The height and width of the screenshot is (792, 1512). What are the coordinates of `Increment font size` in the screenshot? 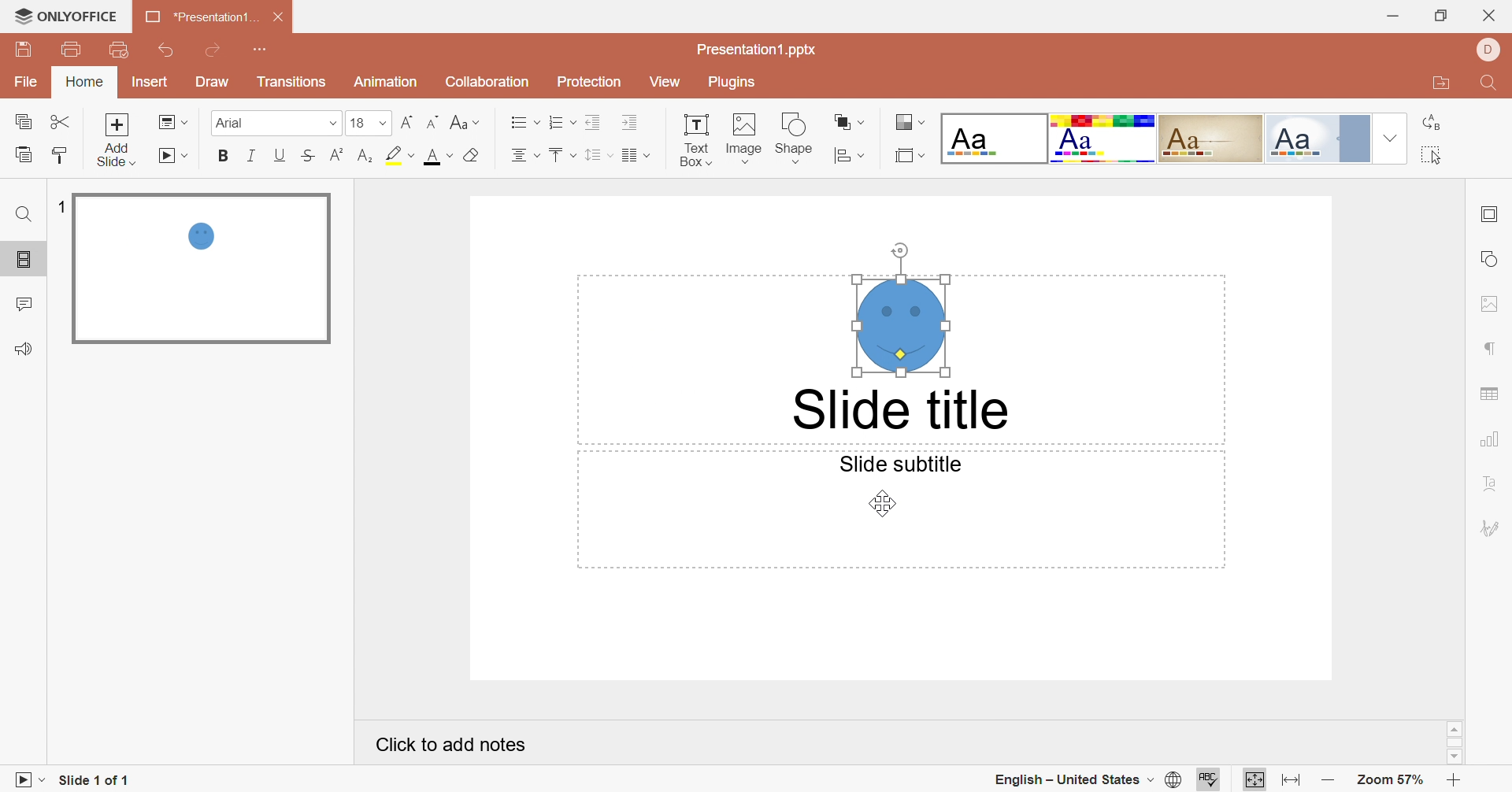 It's located at (403, 121).